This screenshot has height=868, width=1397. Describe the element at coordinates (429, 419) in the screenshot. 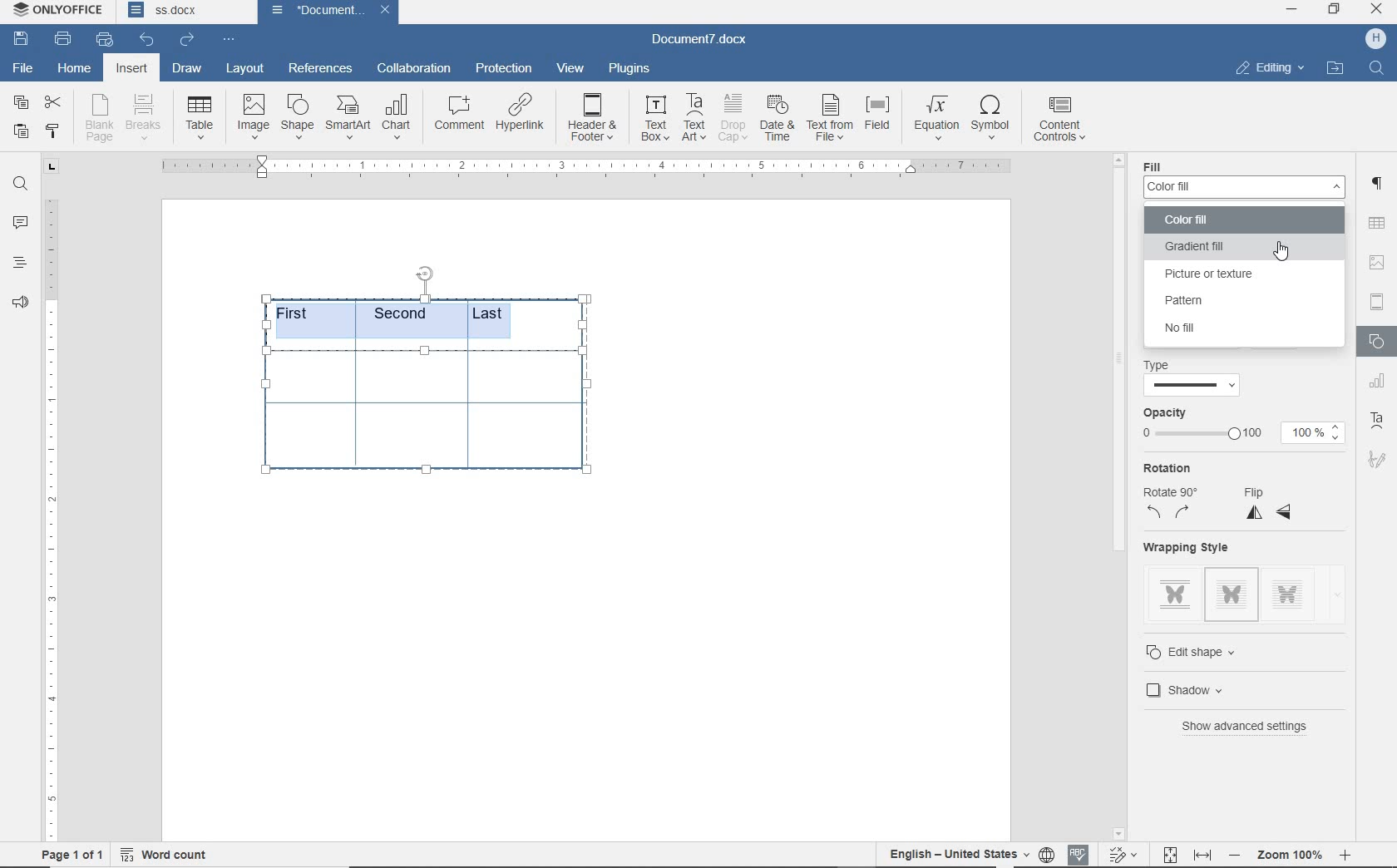

I see `table` at that location.